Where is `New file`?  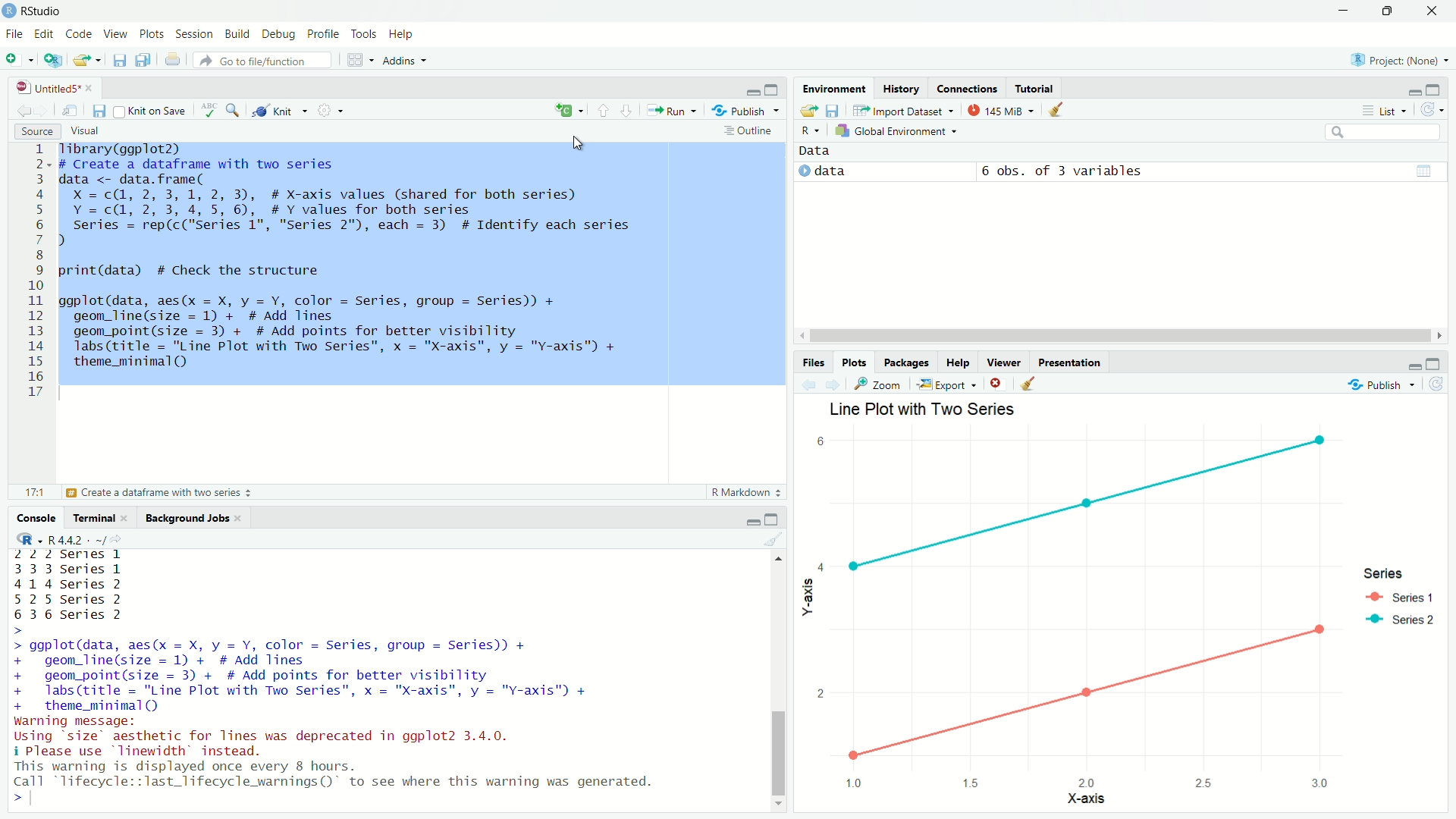
New file is located at coordinates (17, 59).